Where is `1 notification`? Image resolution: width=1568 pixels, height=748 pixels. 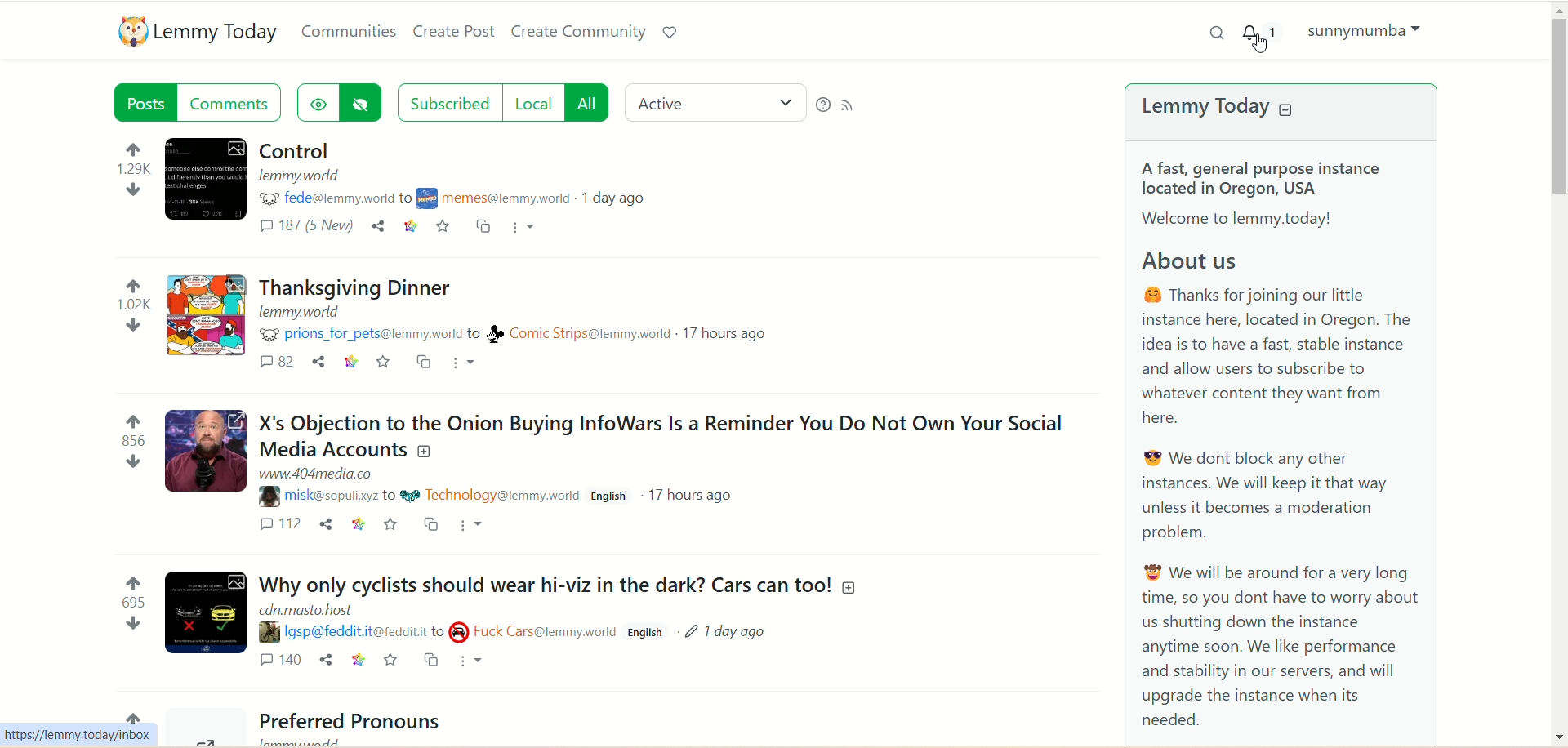
1 notification is located at coordinates (1261, 33).